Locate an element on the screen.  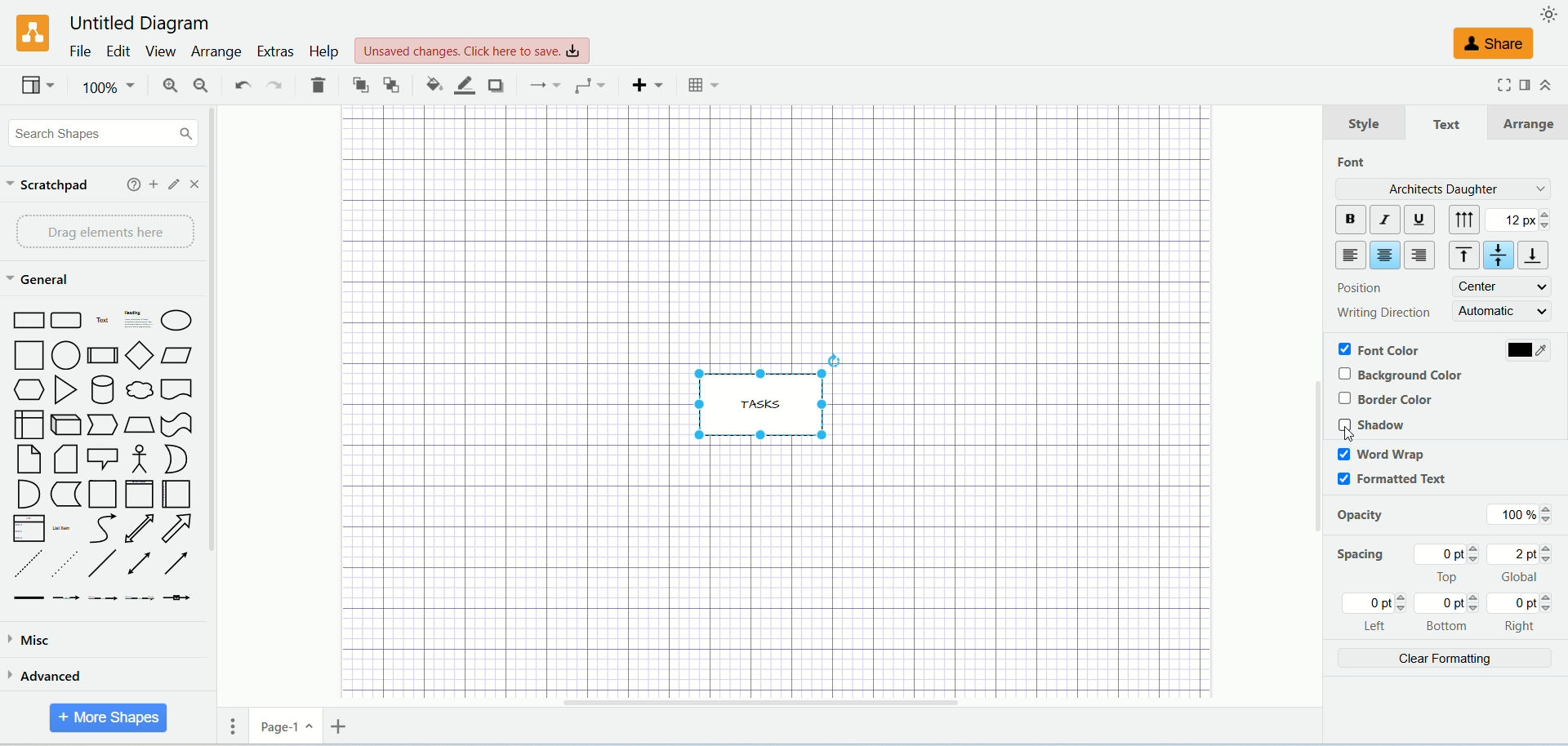
font is located at coordinates (1355, 162).